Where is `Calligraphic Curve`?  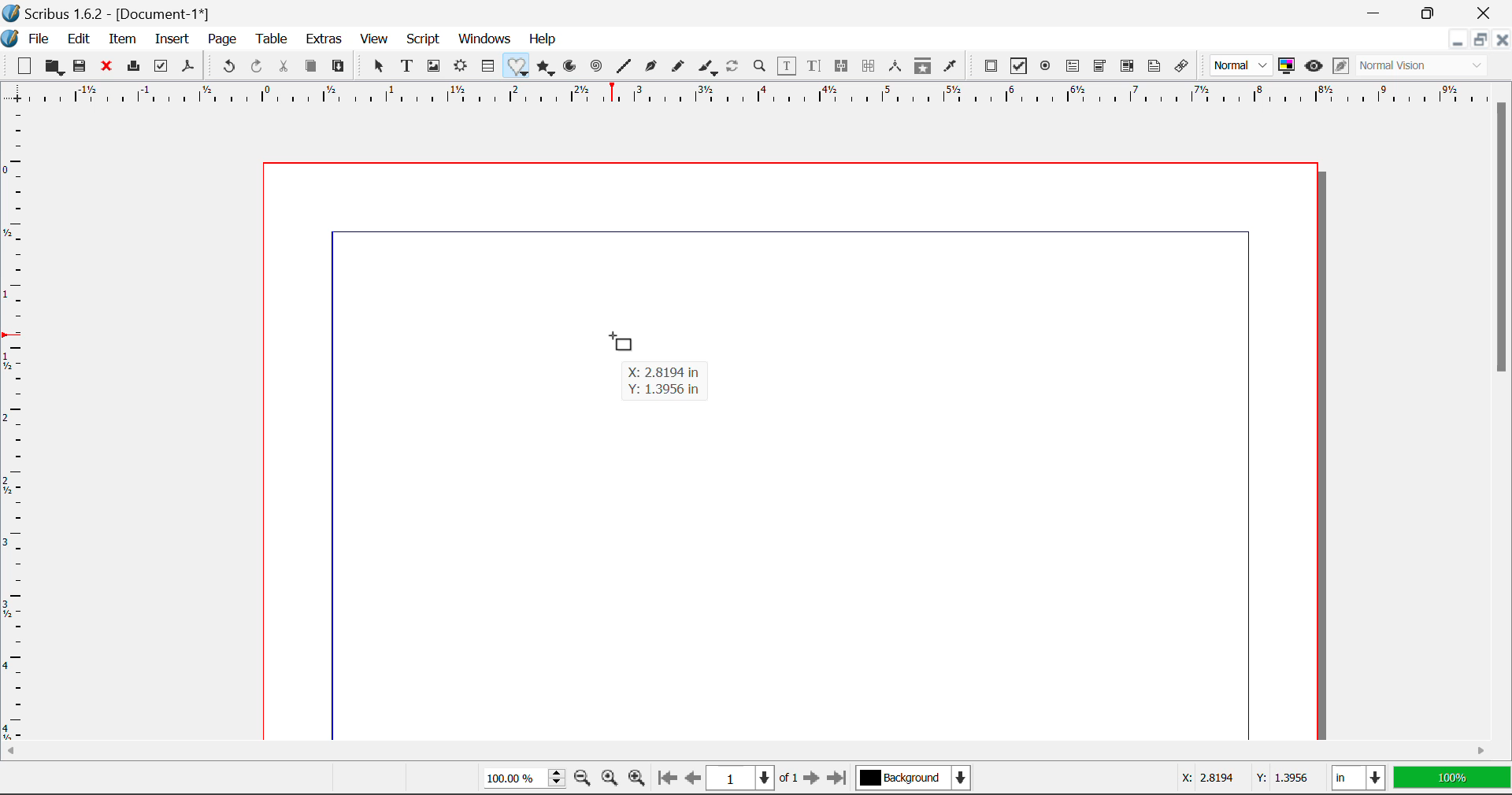 Calligraphic Curve is located at coordinates (708, 69).